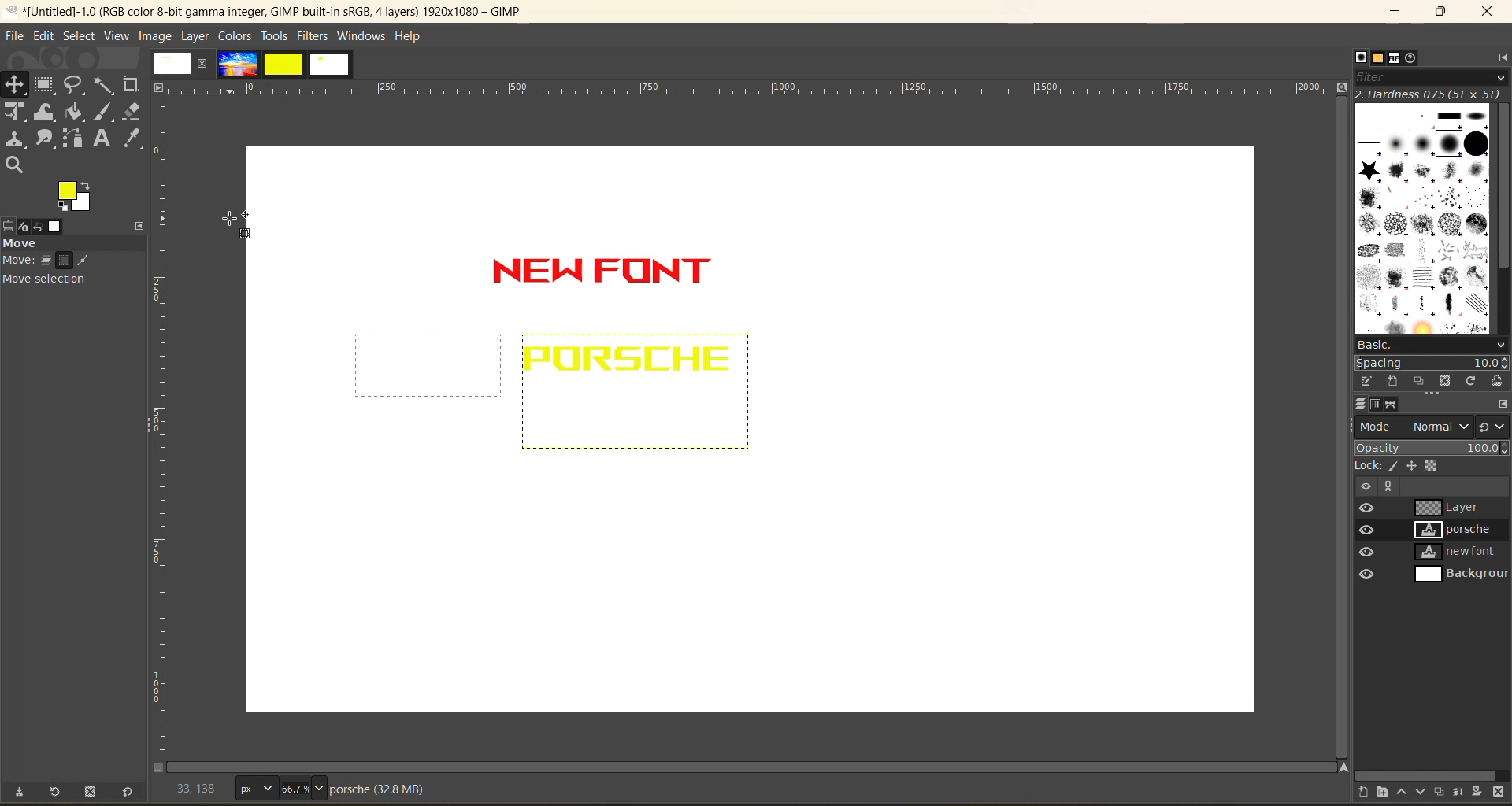 The image size is (1512, 806). I want to click on image, so click(171, 63).